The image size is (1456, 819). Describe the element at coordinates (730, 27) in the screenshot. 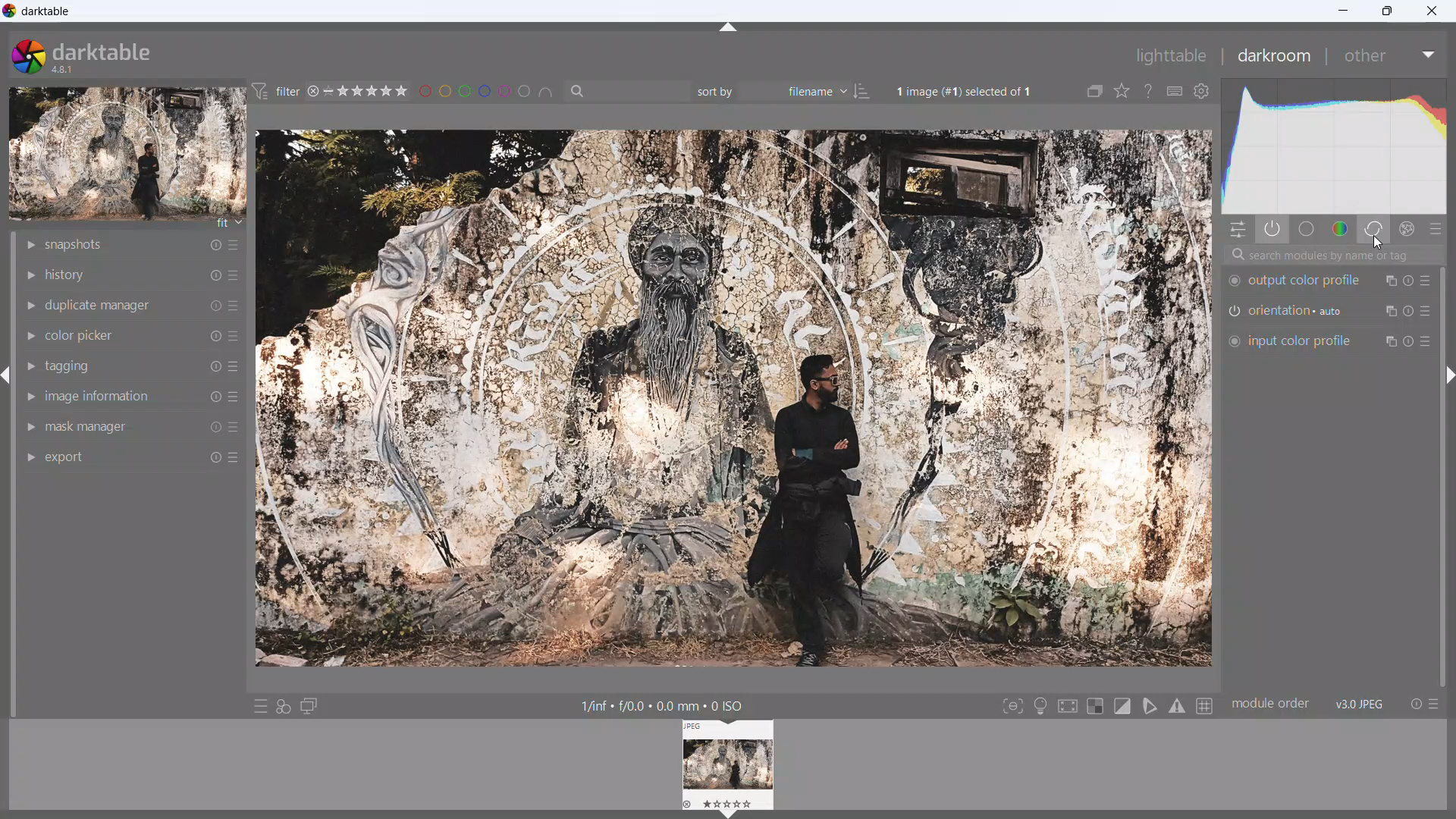

I see `hide panel` at that location.